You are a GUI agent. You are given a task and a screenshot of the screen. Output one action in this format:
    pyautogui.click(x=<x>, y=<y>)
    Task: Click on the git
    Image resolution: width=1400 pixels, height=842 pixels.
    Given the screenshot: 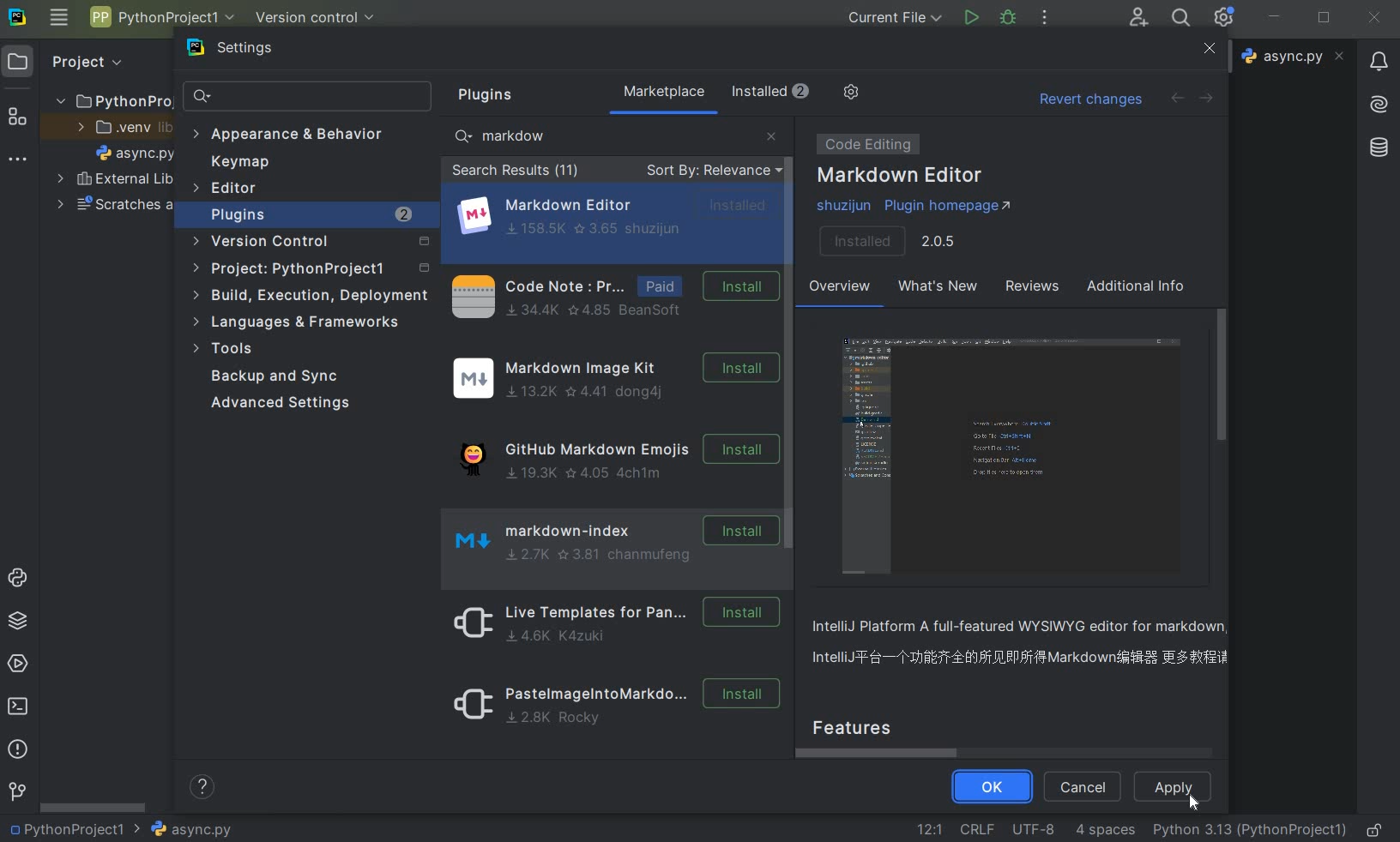 What is the action you would take?
    pyautogui.click(x=16, y=792)
    